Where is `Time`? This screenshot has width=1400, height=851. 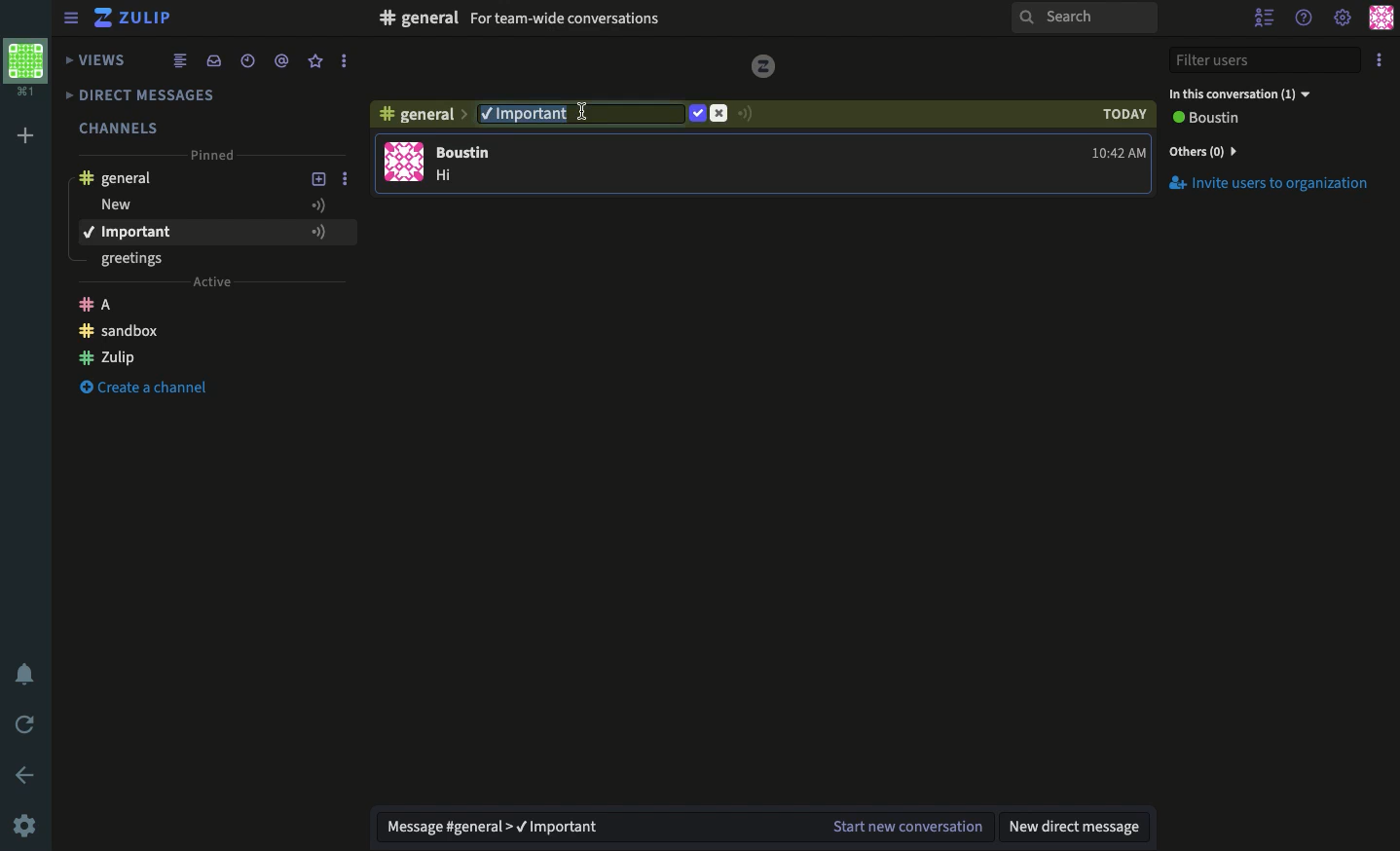 Time is located at coordinates (250, 59).